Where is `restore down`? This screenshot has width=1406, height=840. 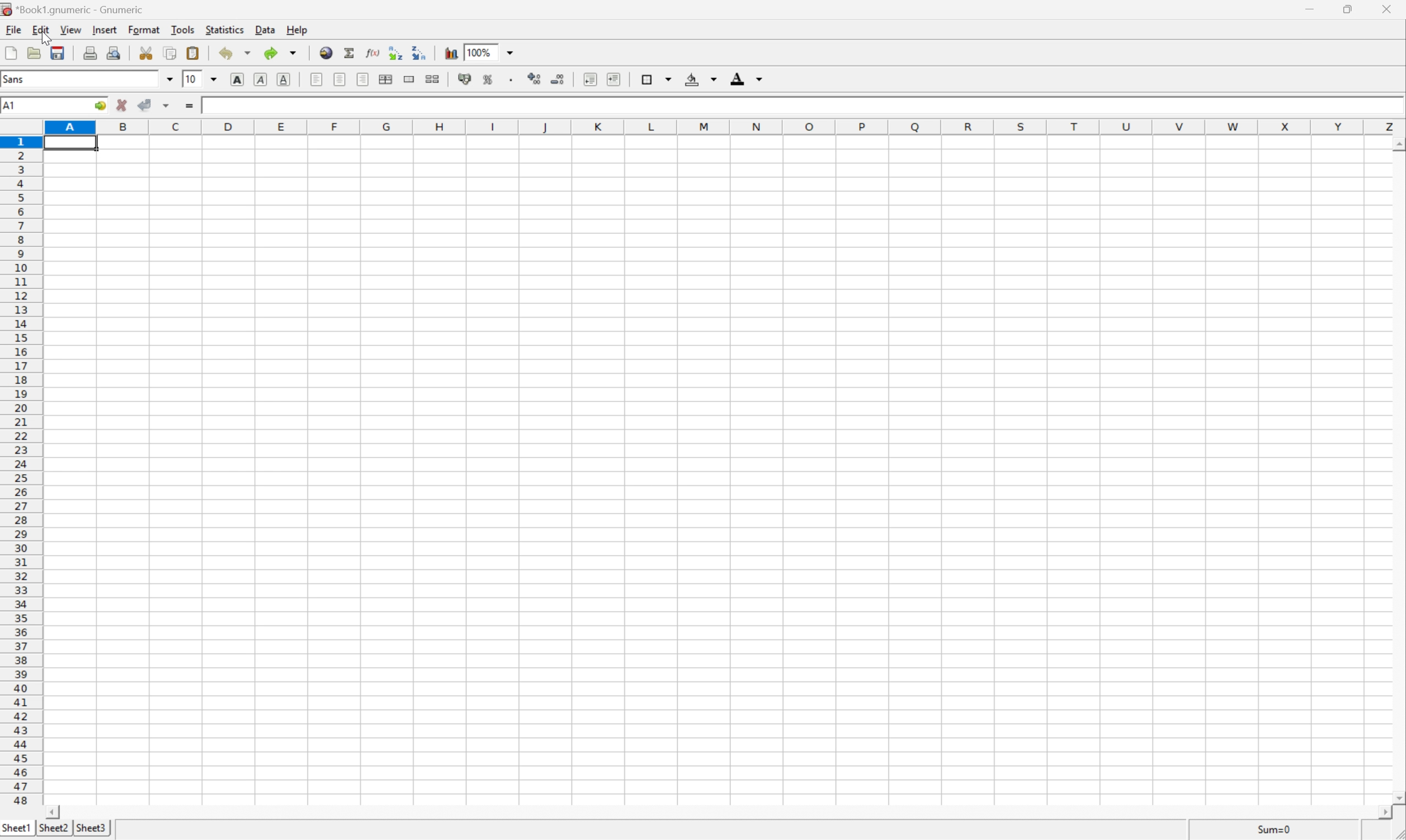 restore down is located at coordinates (1353, 10).